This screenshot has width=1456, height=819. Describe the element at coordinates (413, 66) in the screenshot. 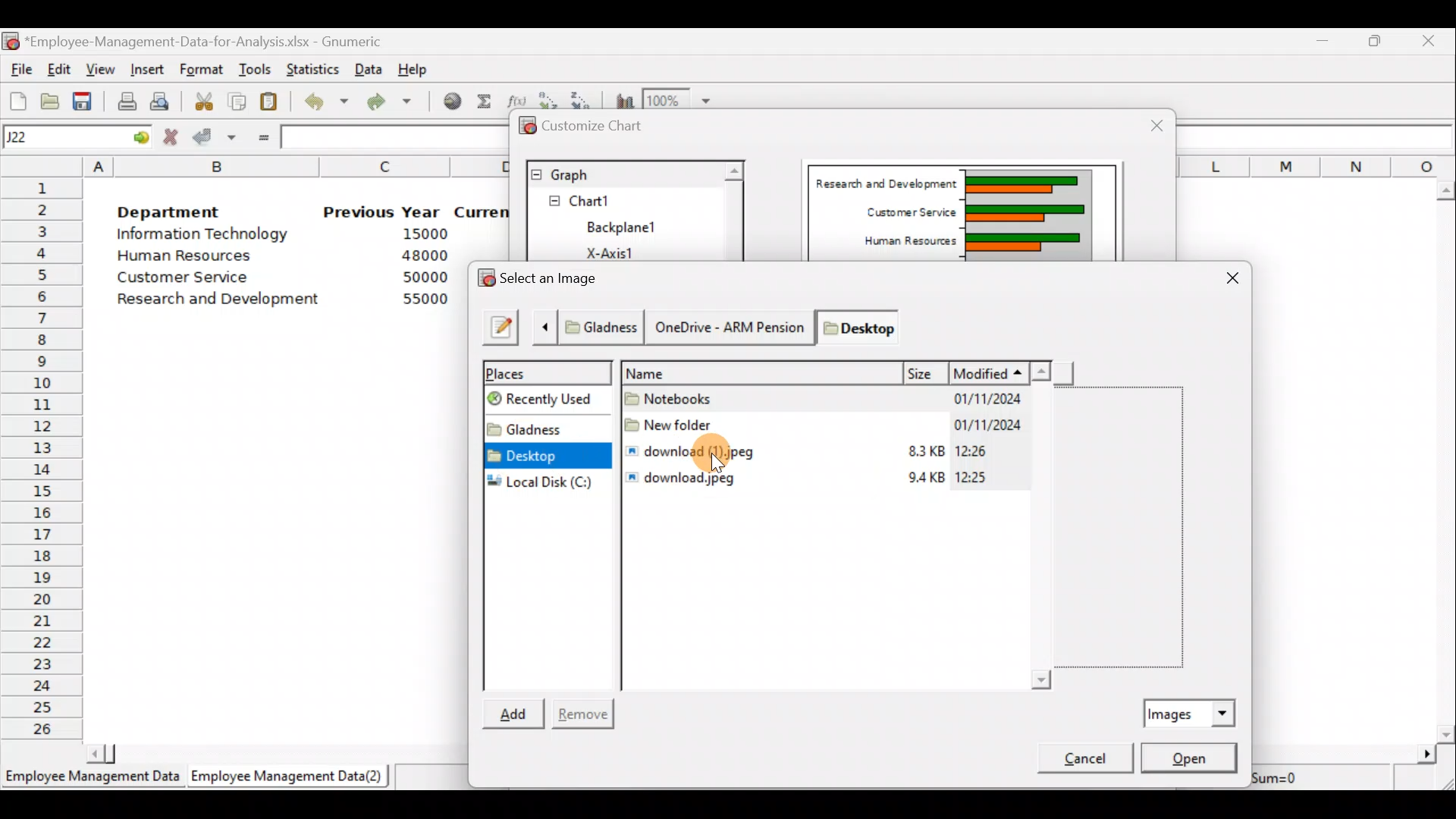

I see `Help` at that location.